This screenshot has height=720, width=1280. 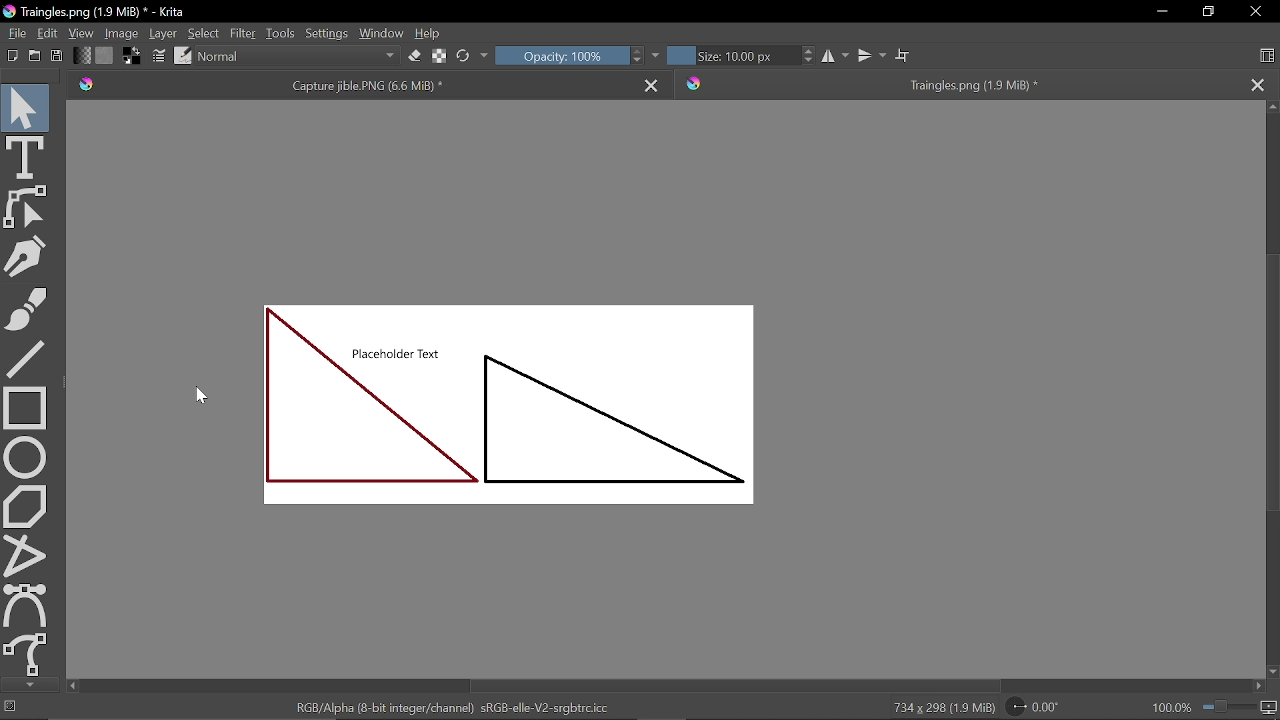 What do you see at coordinates (34, 58) in the screenshot?
I see `Open document` at bounding box center [34, 58].